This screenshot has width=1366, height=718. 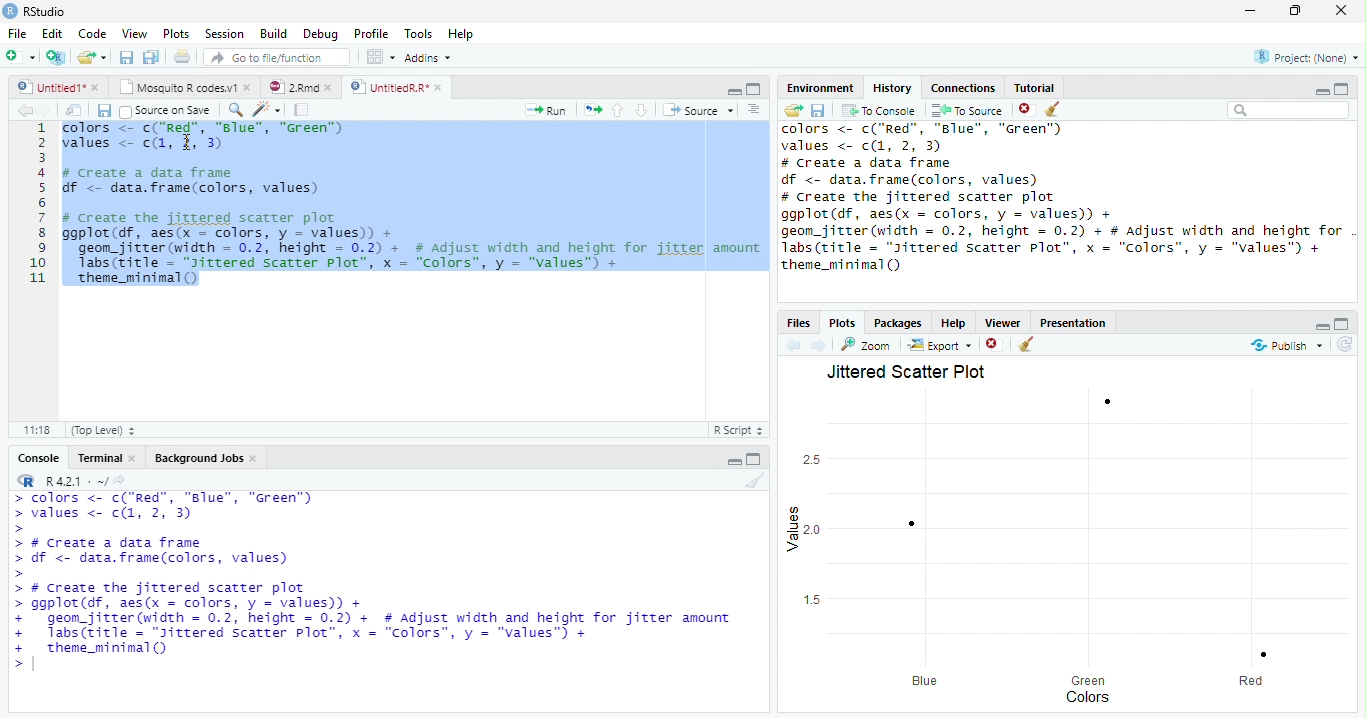 I want to click on Show document outline, so click(x=753, y=109).